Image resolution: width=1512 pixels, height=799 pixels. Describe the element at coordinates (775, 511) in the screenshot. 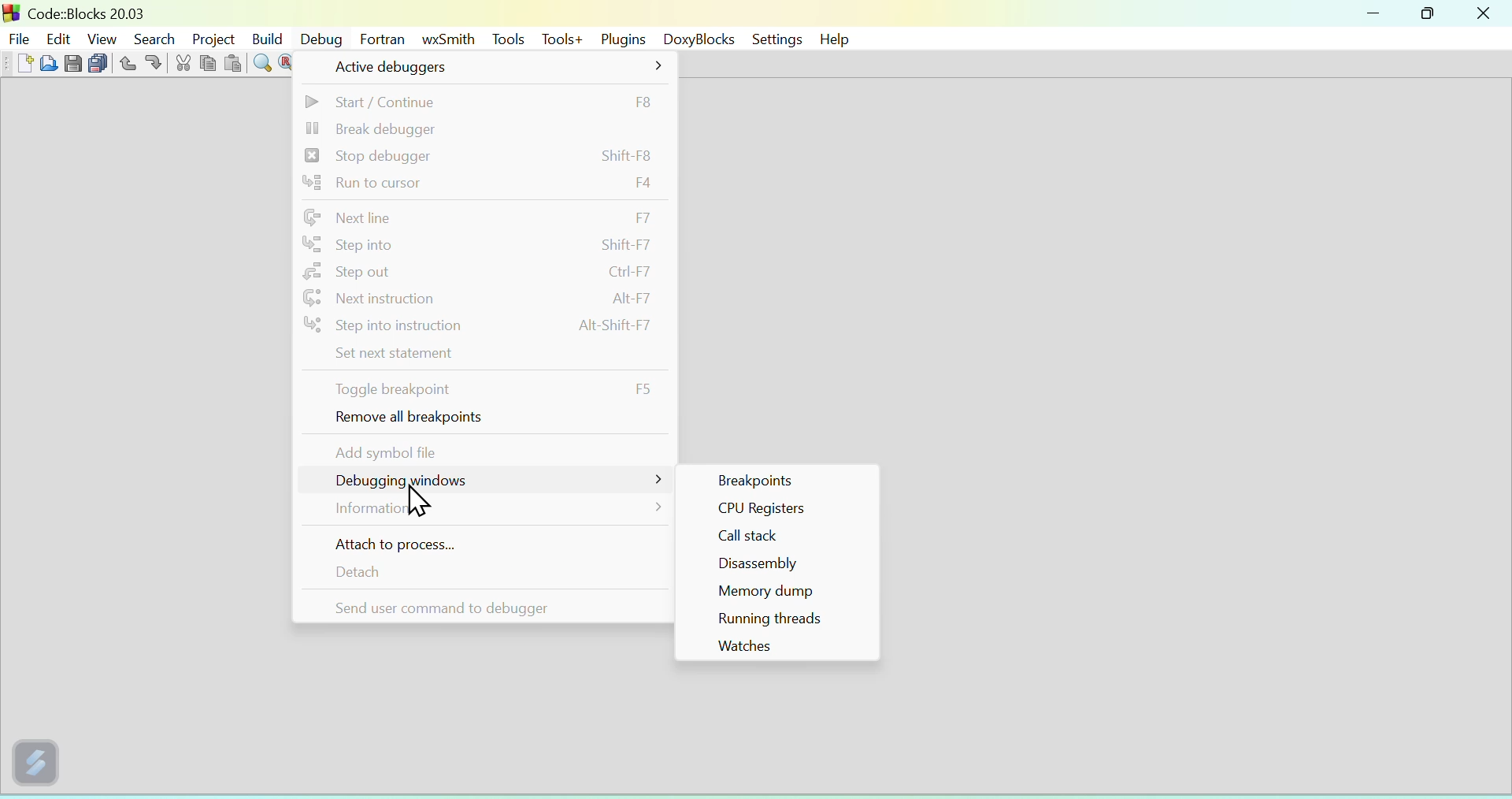

I see `CPU Registers` at that location.